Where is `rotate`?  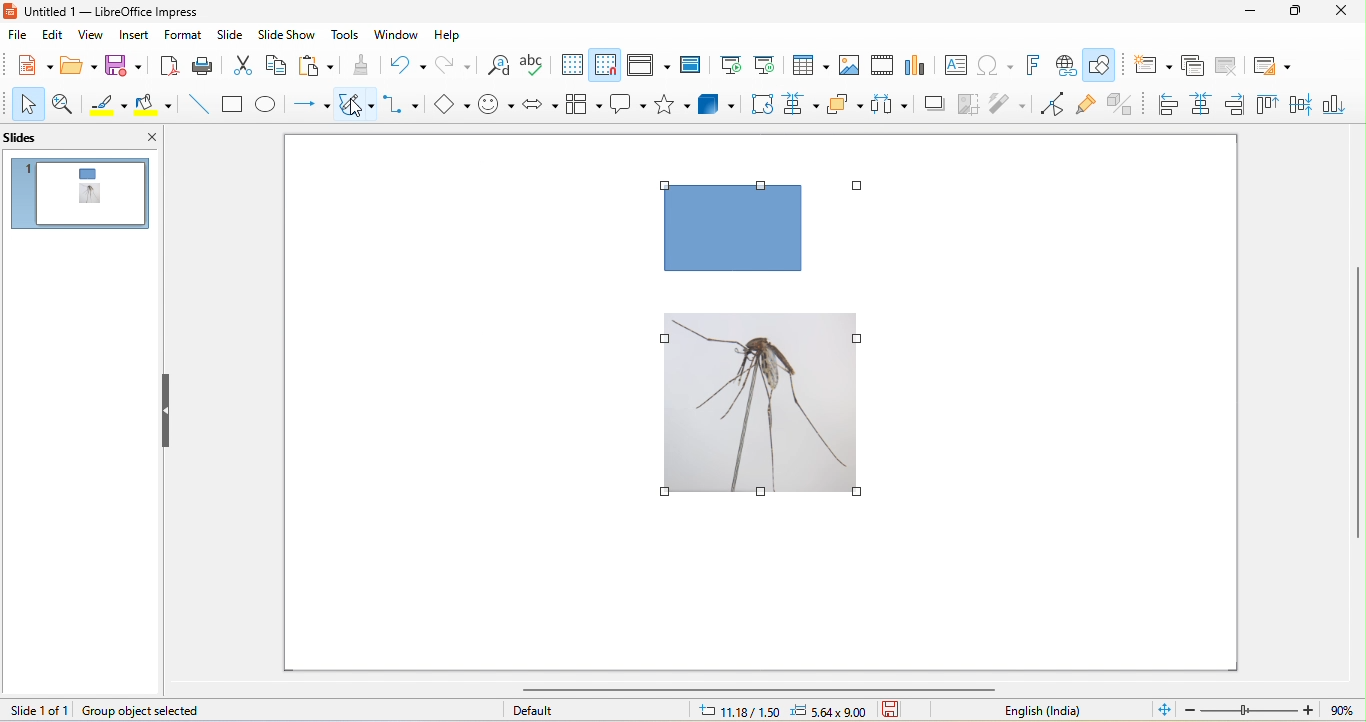 rotate is located at coordinates (763, 106).